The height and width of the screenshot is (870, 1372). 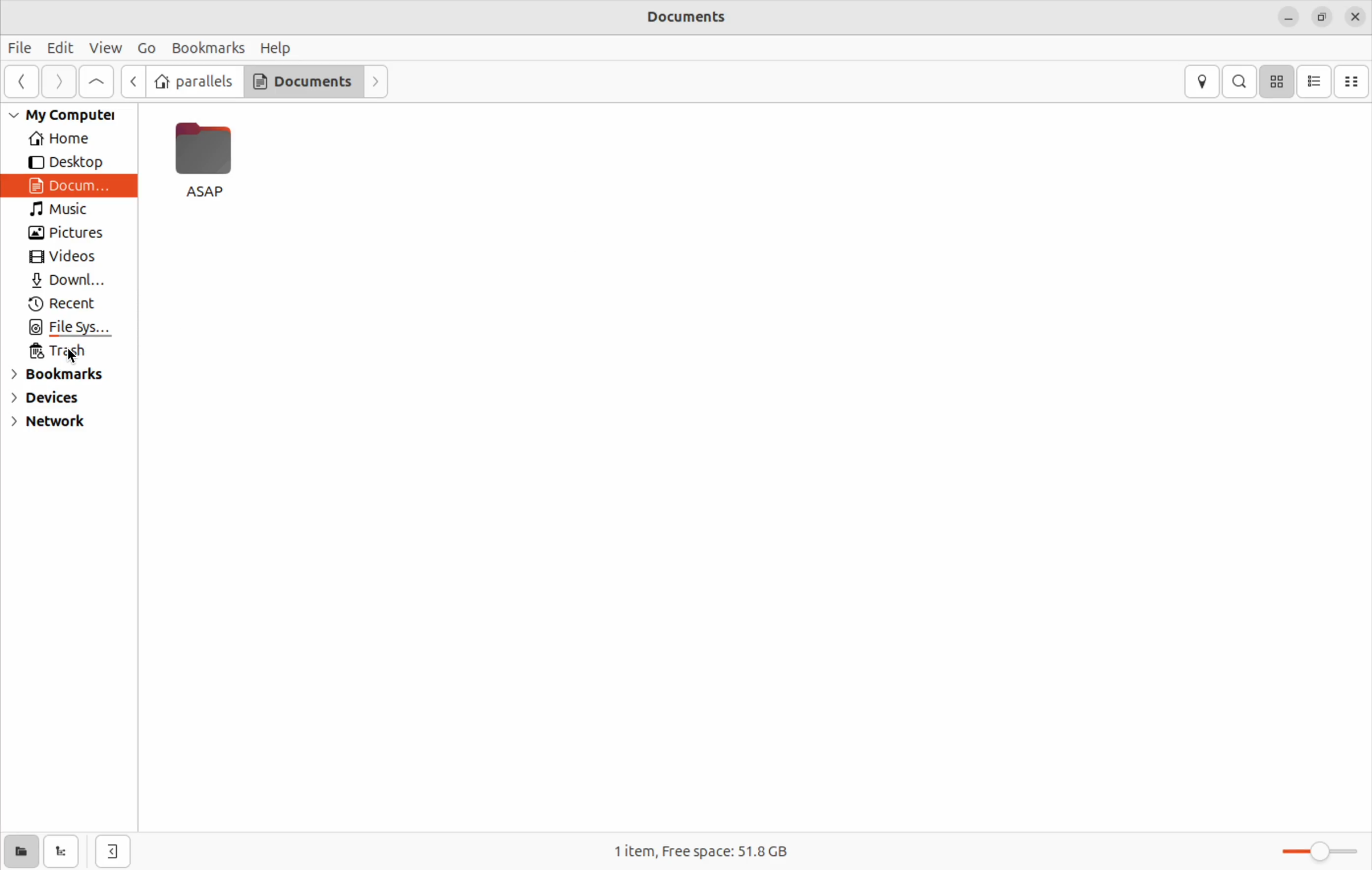 I want to click on Documents, so click(x=300, y=80).